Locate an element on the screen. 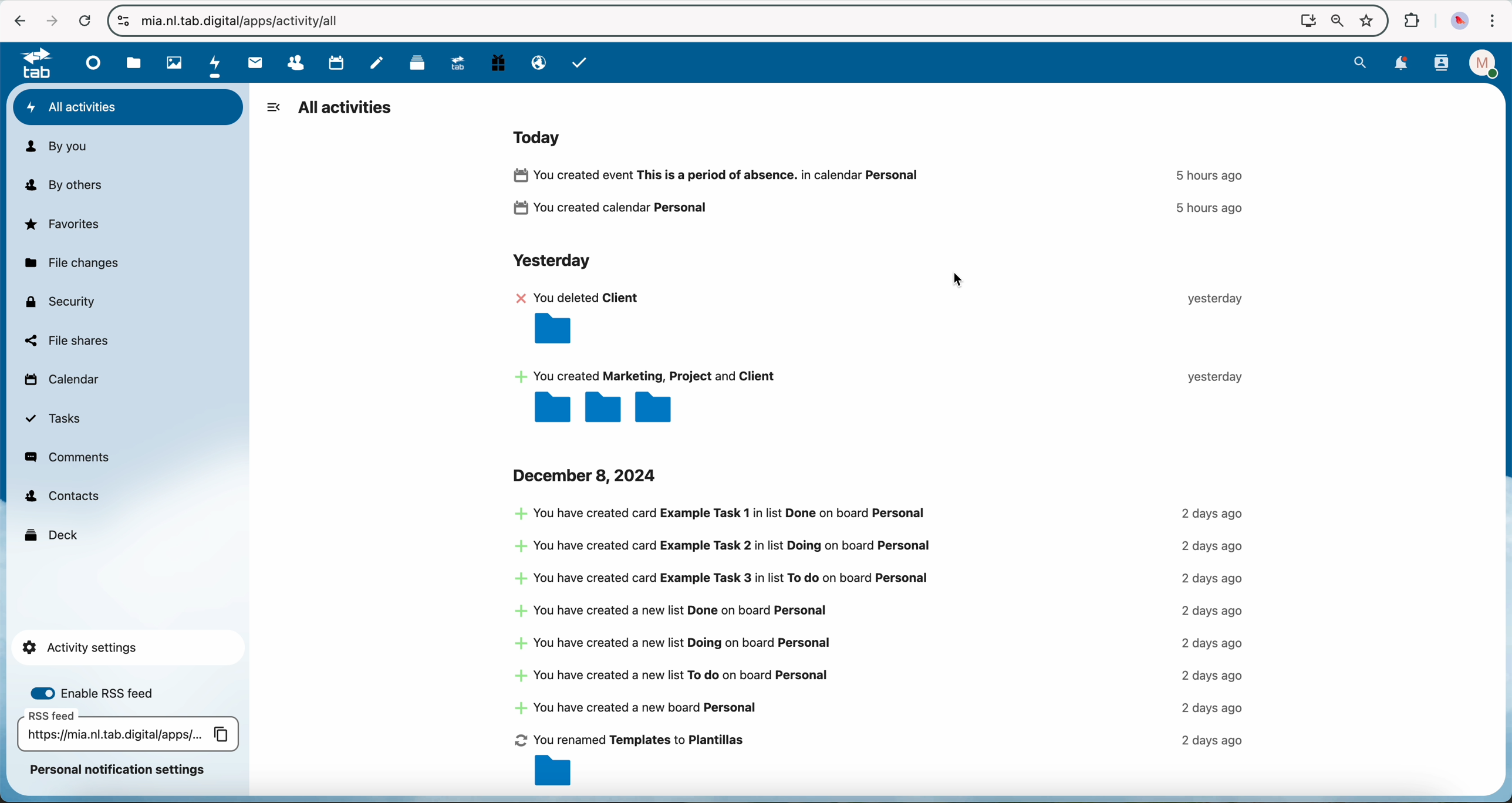  notes is located at coordinates (379, 62).